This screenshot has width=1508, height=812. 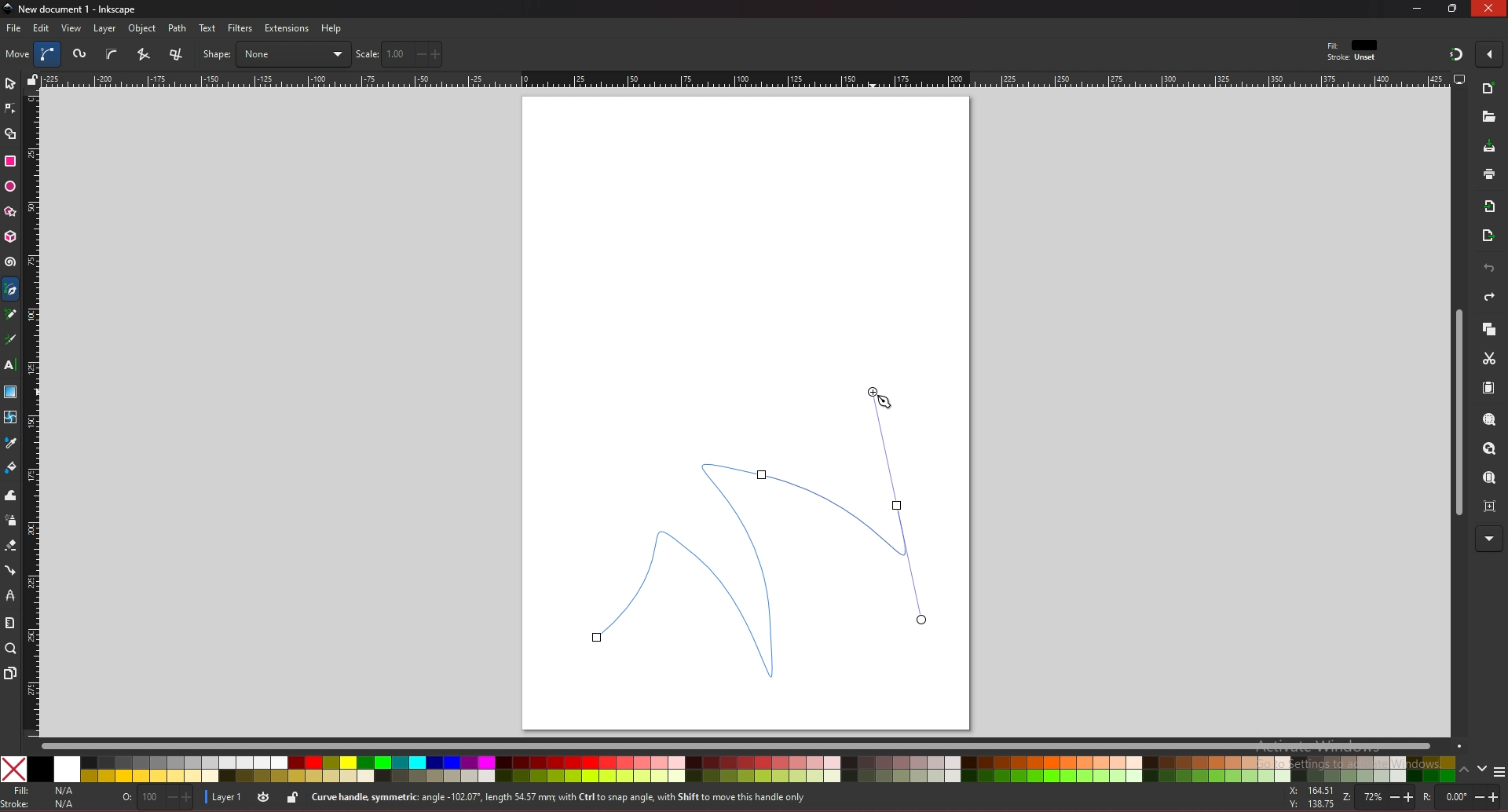 I want to click on pencil, so click(x=15, y=315).